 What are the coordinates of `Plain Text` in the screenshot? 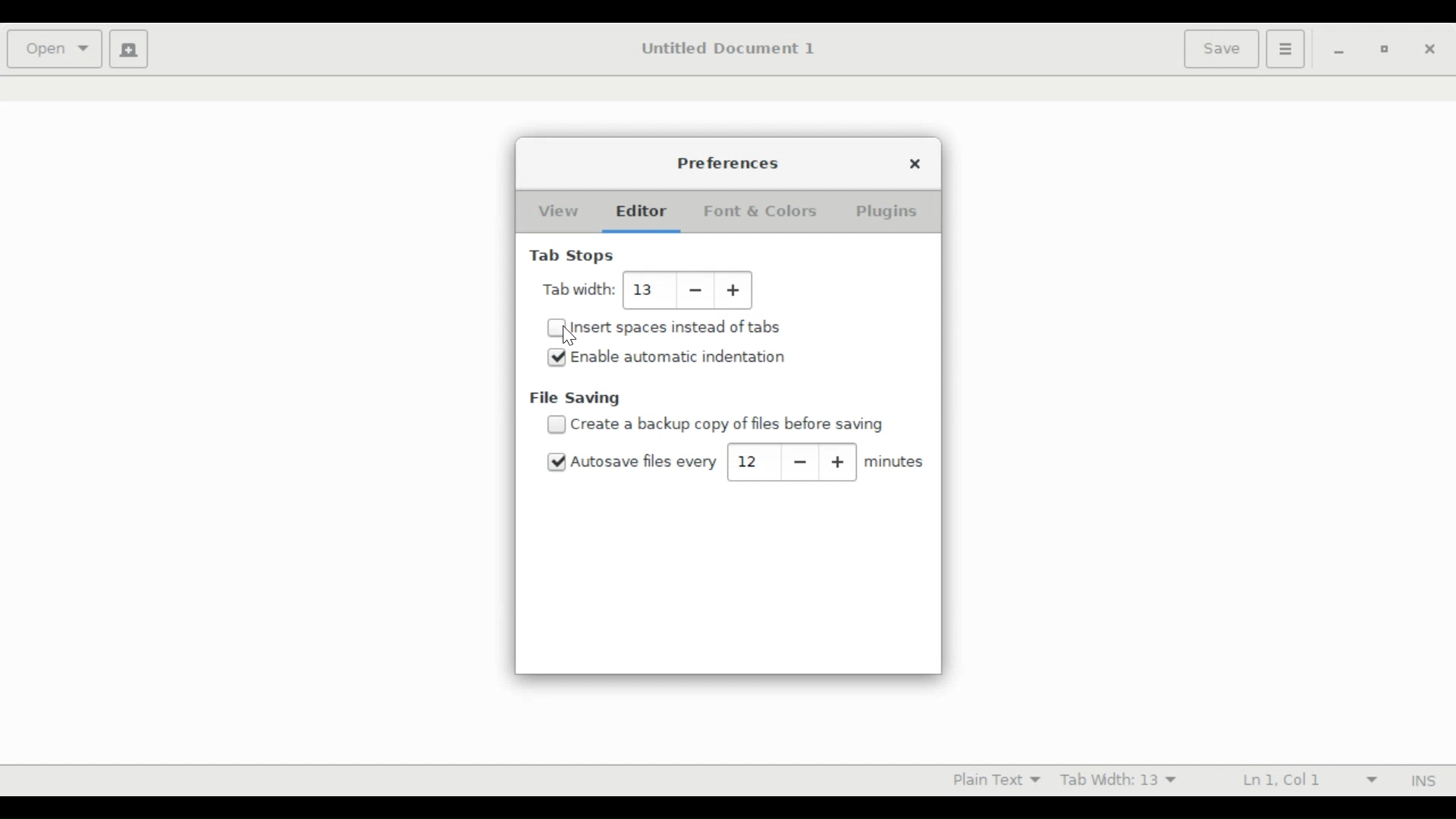 It's located at (993, 779).